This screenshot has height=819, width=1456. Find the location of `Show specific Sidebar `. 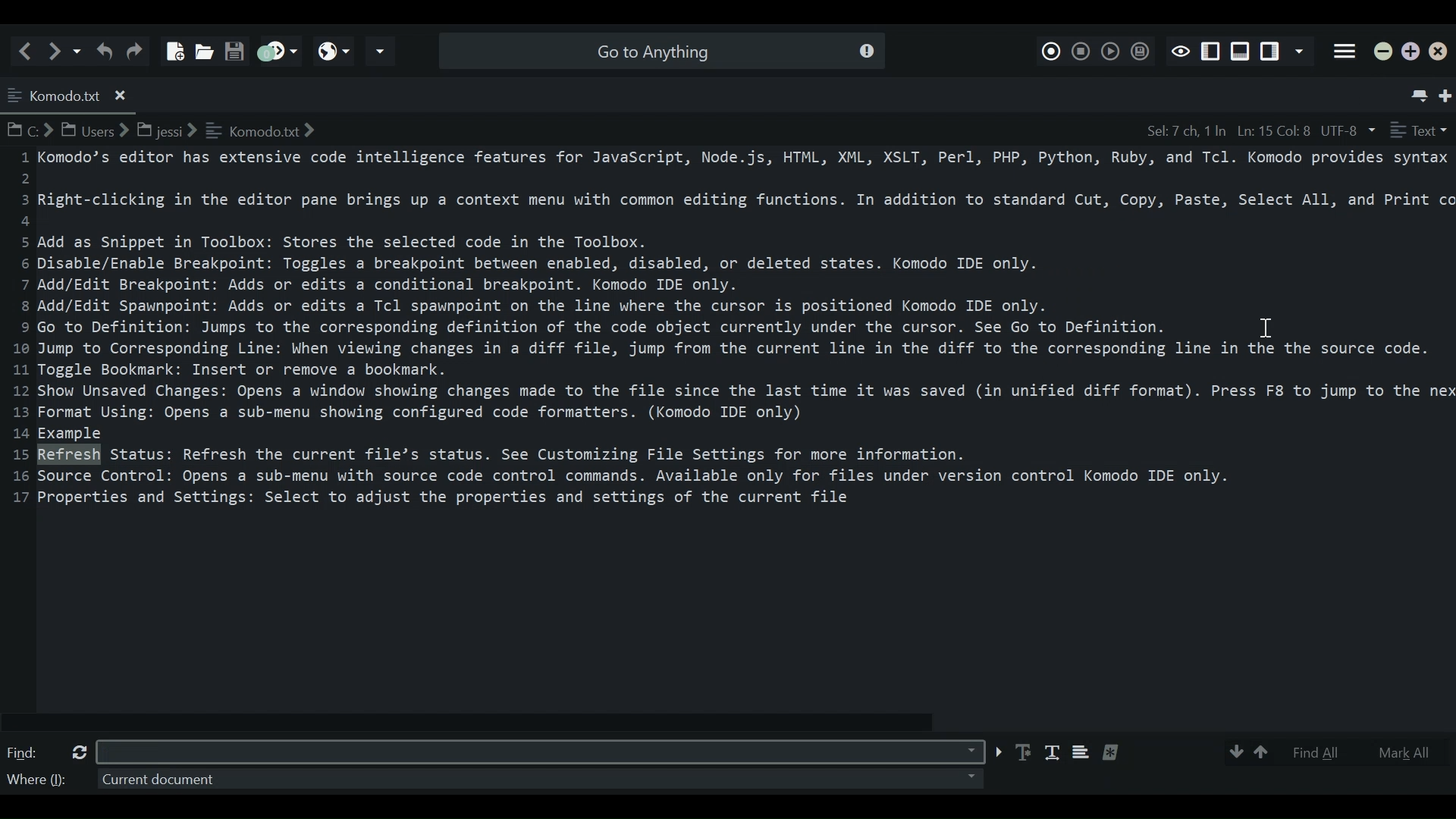

Show specific Sidebar  is located at coordinates (1302, 52).